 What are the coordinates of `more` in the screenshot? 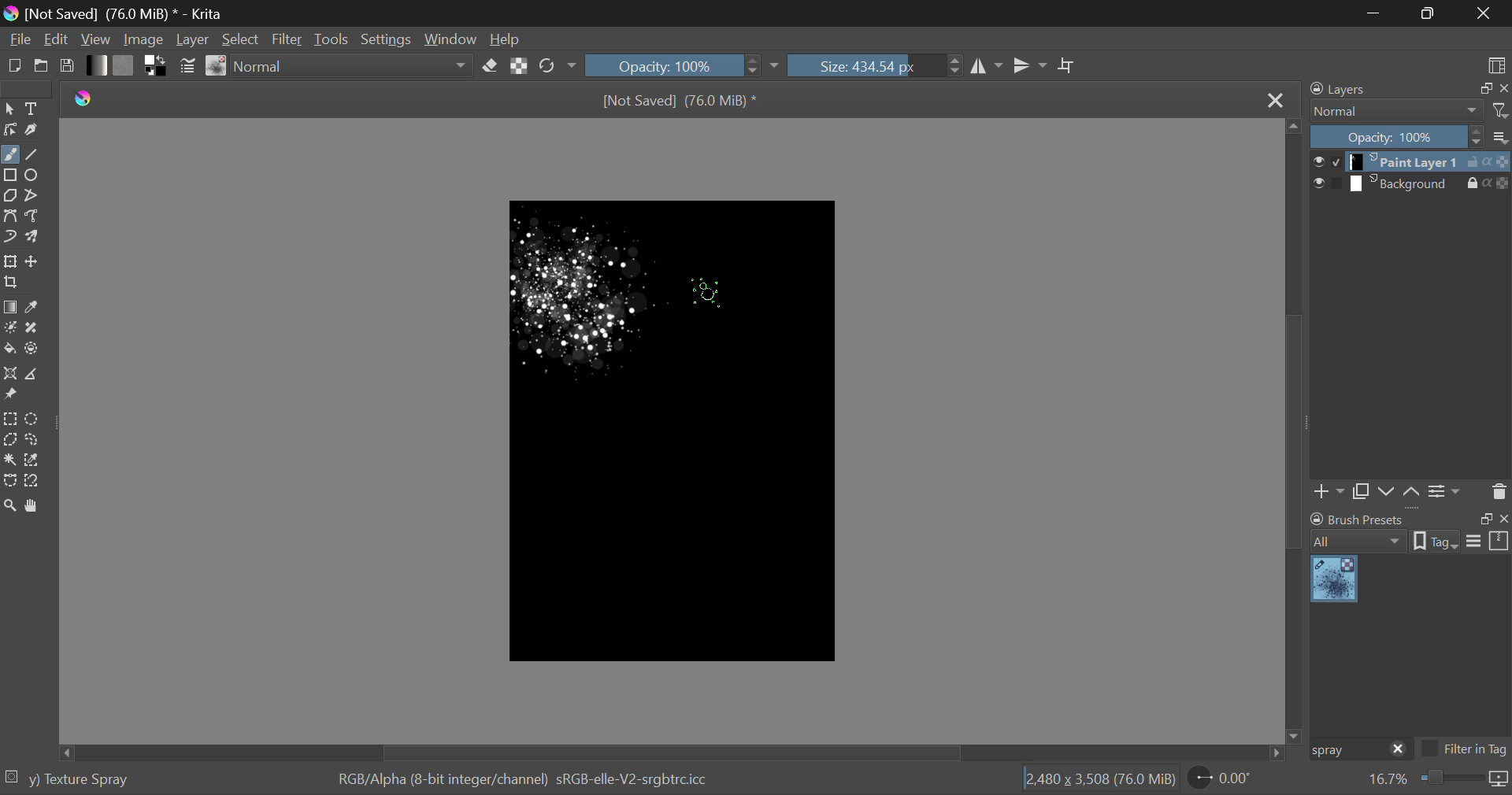 It's located at (1501, 136).